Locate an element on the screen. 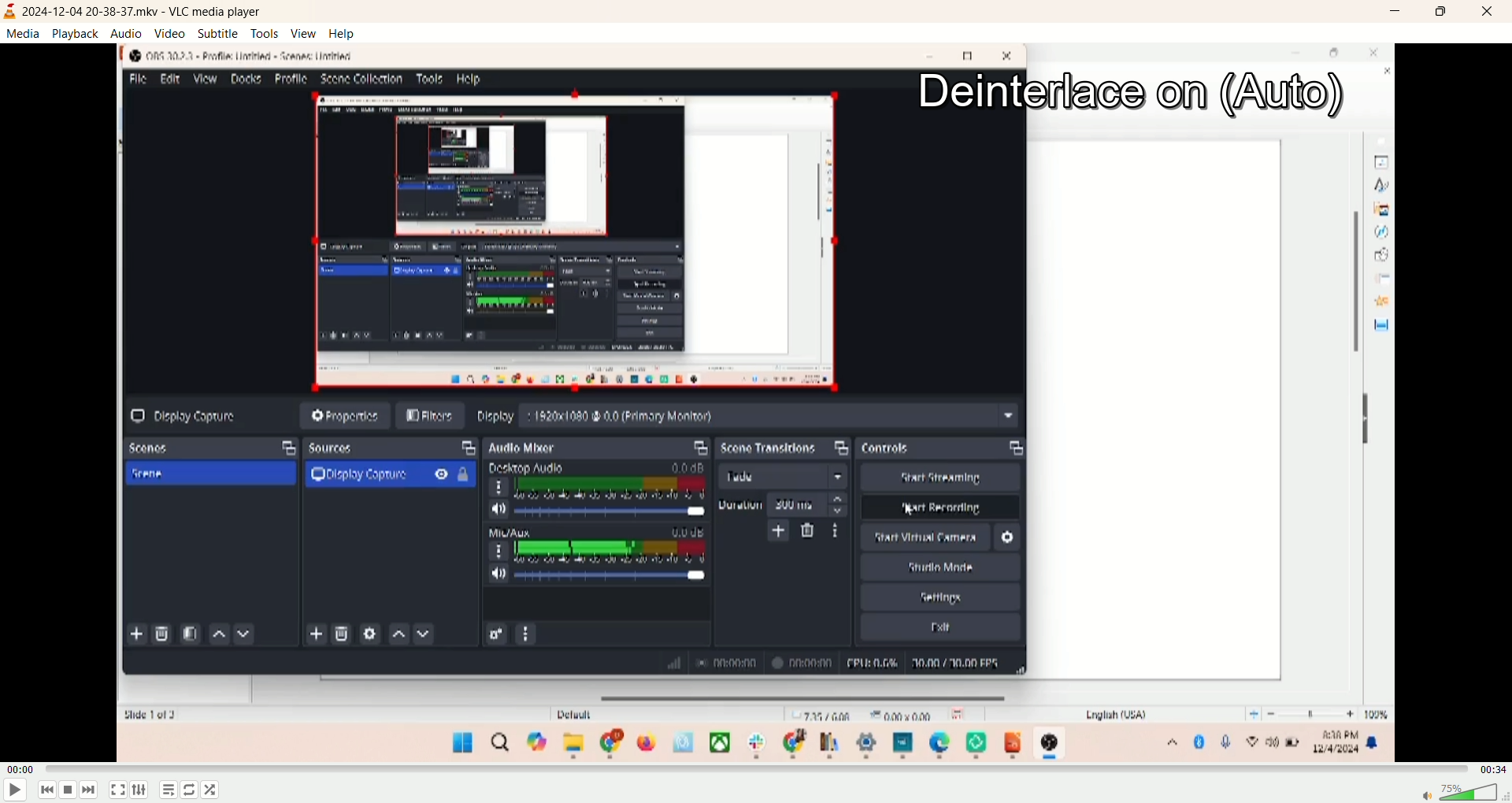  playlist is located at coordinates (169, 791).